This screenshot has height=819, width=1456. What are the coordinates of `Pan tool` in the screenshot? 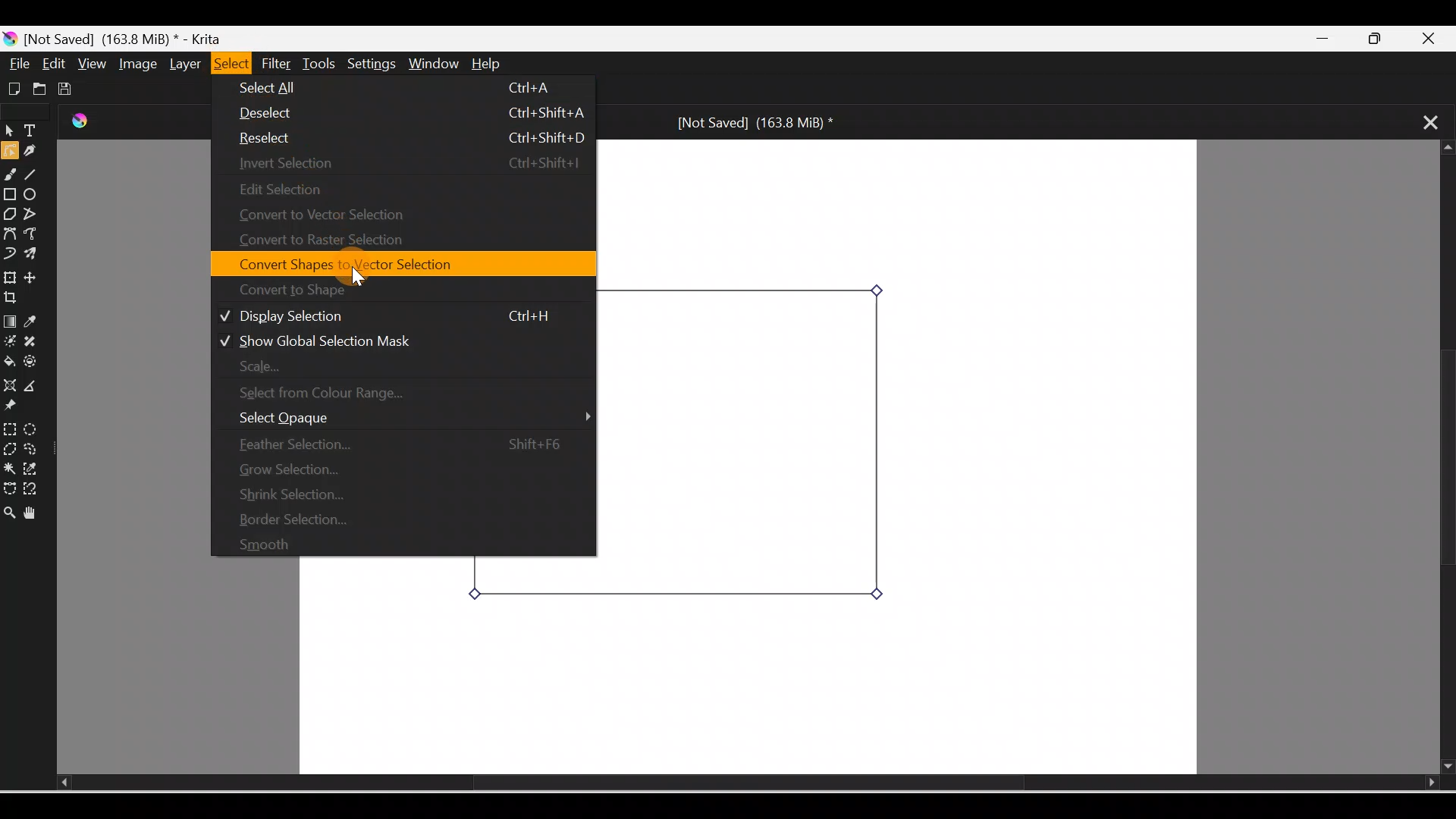 It's located at (33, 510).